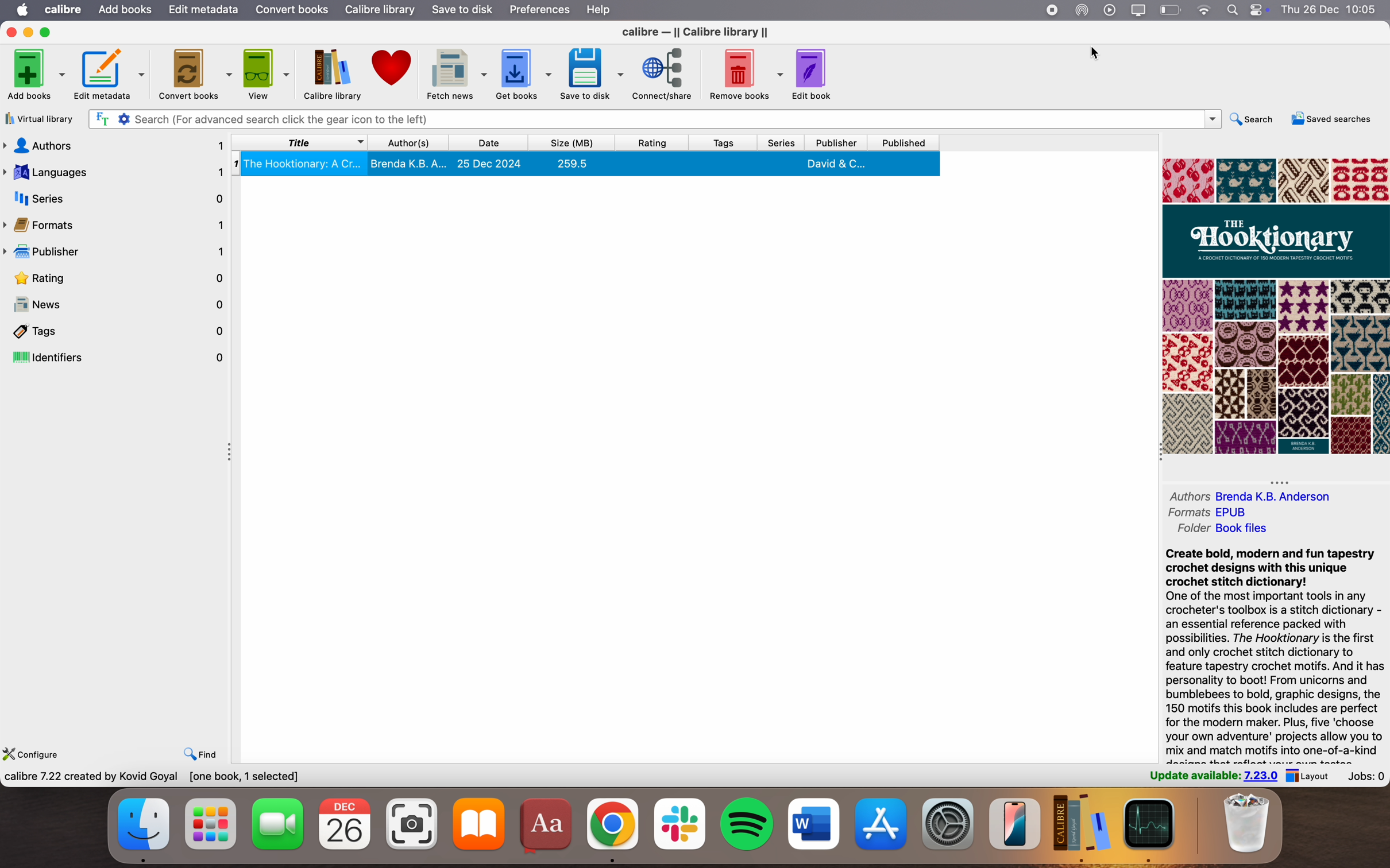  Describe the element at coordinates (1171, 10) in the screenshot. I see `battery` at that location.